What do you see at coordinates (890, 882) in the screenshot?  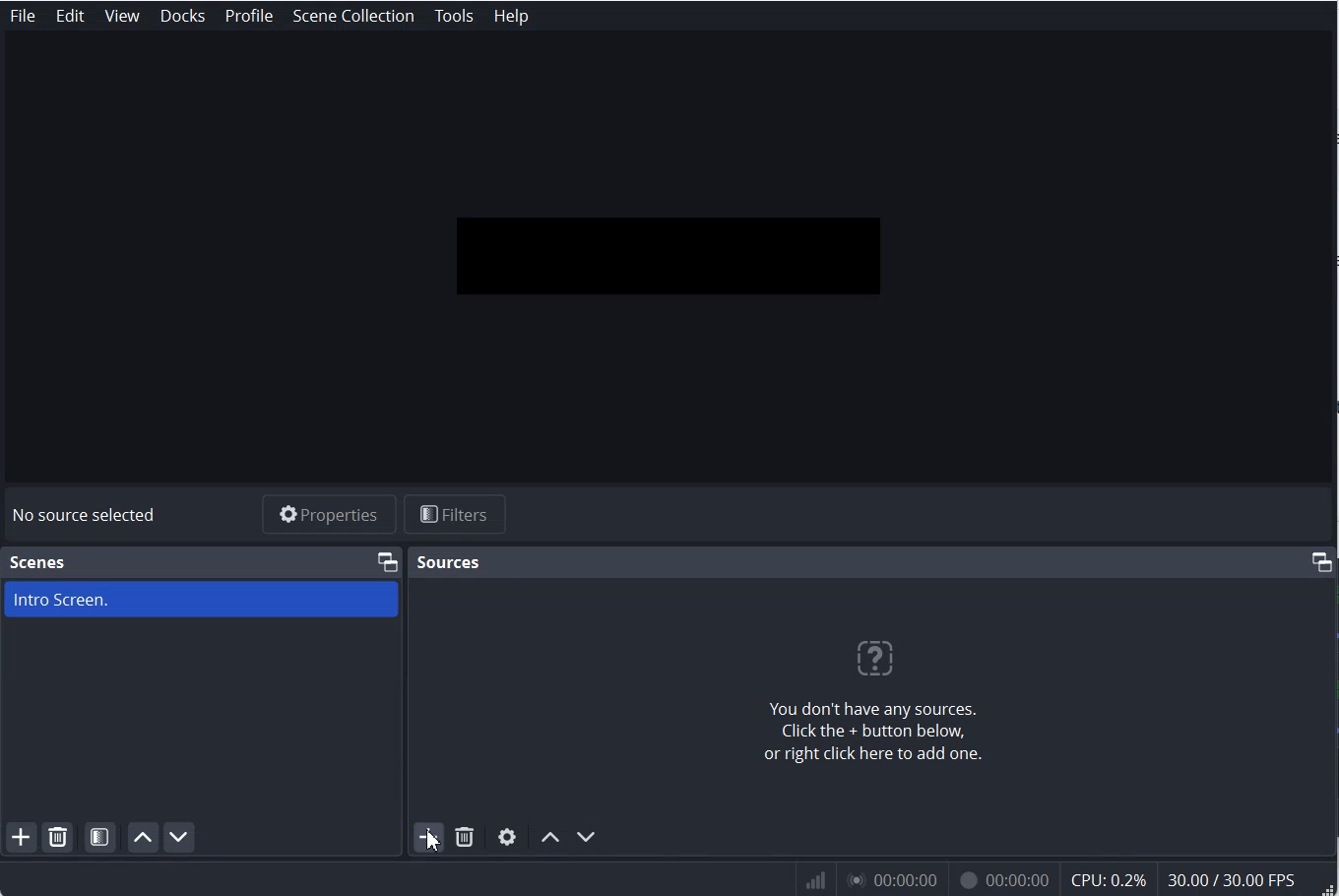 I see `0:00` at bounding box center [890, 882].